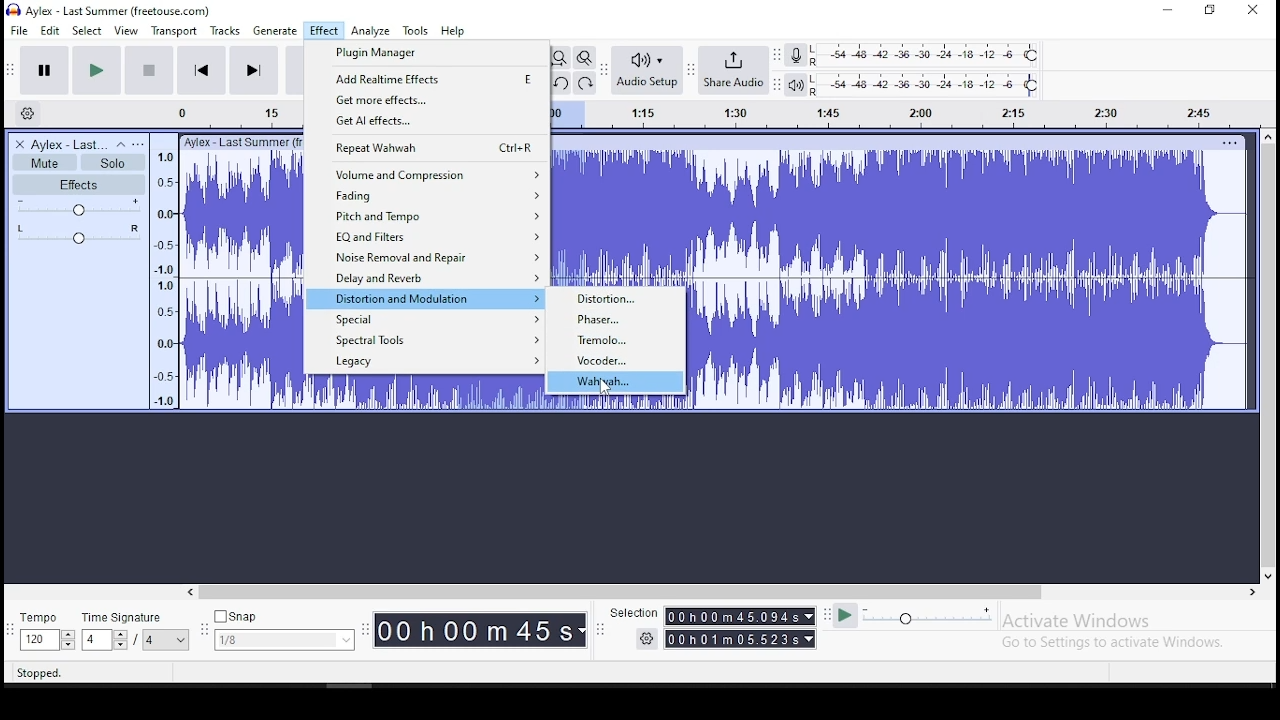 This screenshot has height=720, width=1280. I want to click on get AI effects, so click(428, 121).